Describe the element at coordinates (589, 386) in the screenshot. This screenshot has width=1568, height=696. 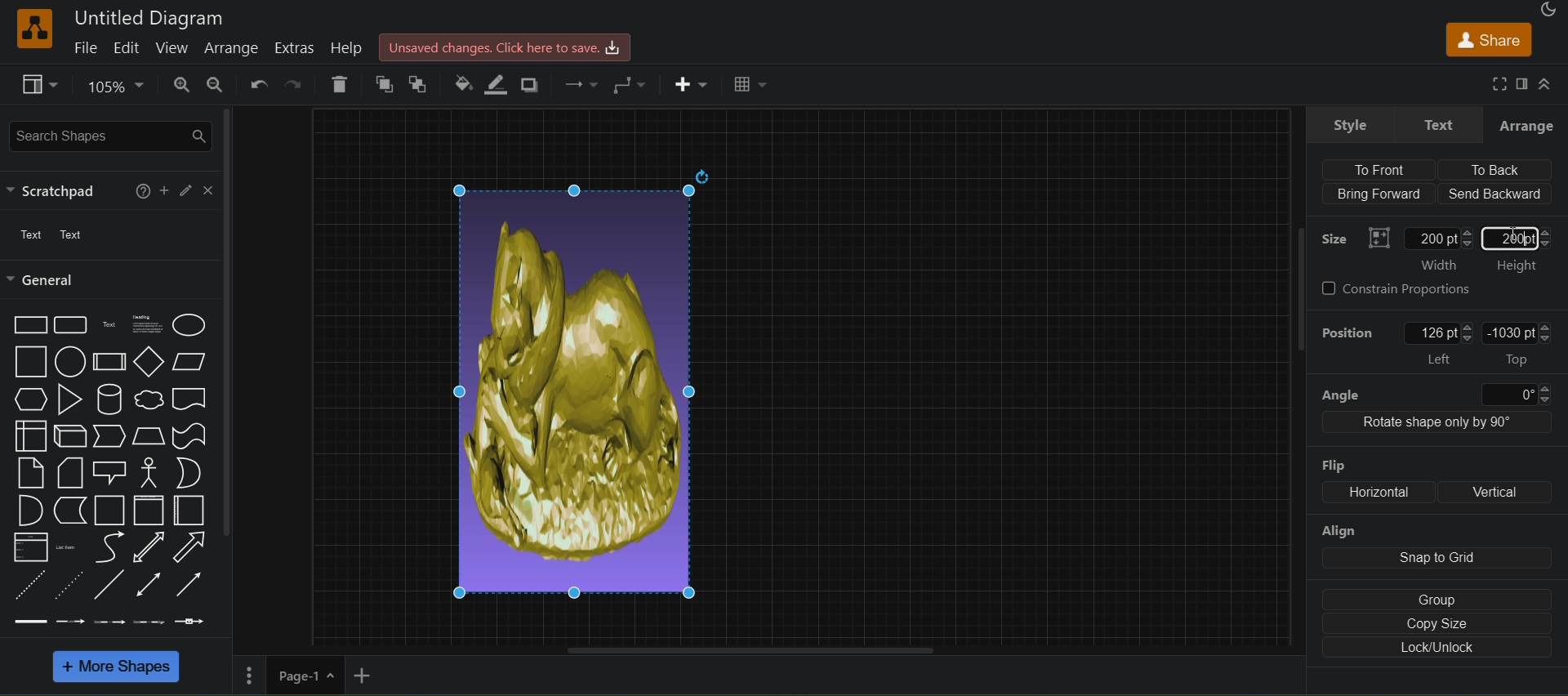
I see `Image width set to 200` at that location.